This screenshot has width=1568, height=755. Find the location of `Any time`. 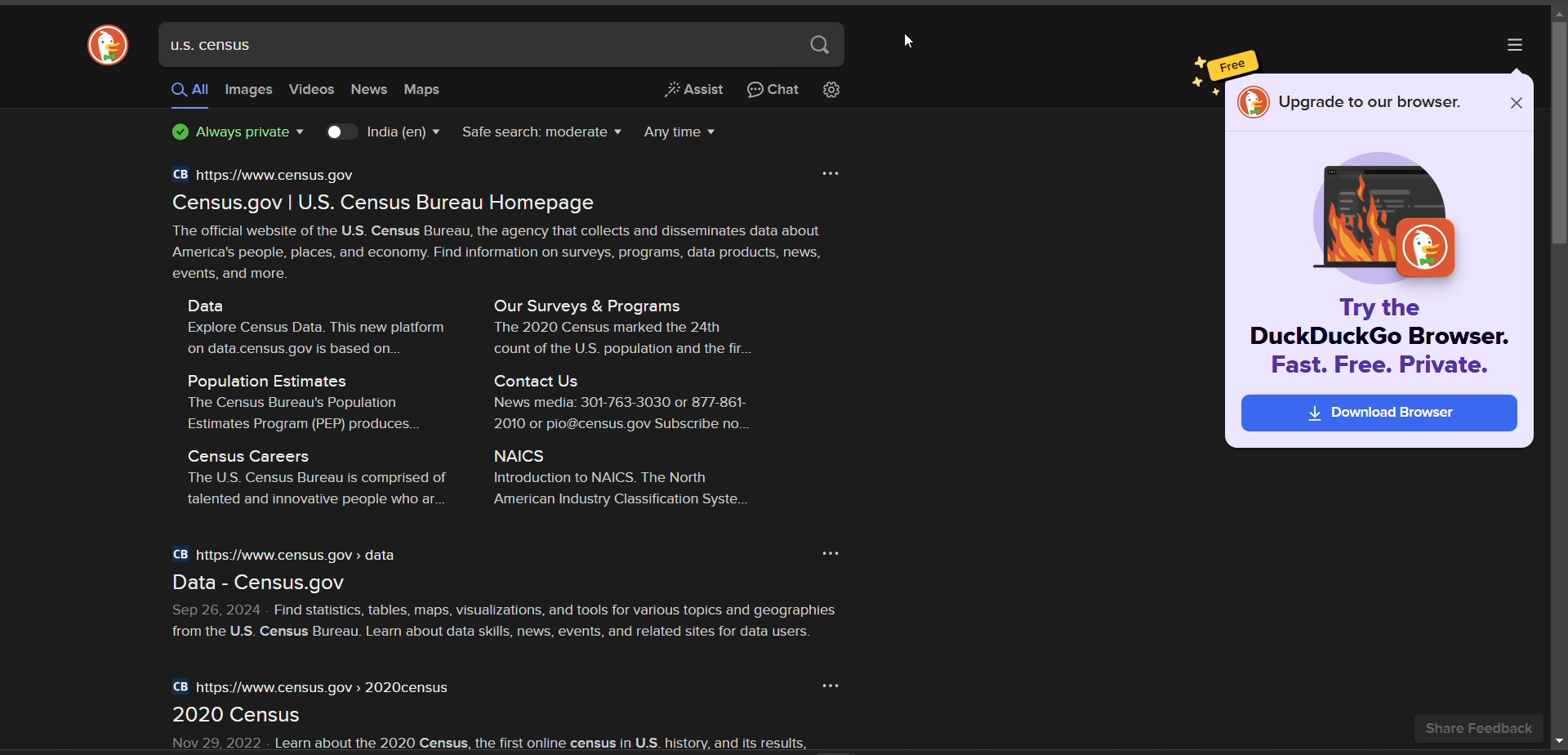

Any time is located at coordinates (692, 132).